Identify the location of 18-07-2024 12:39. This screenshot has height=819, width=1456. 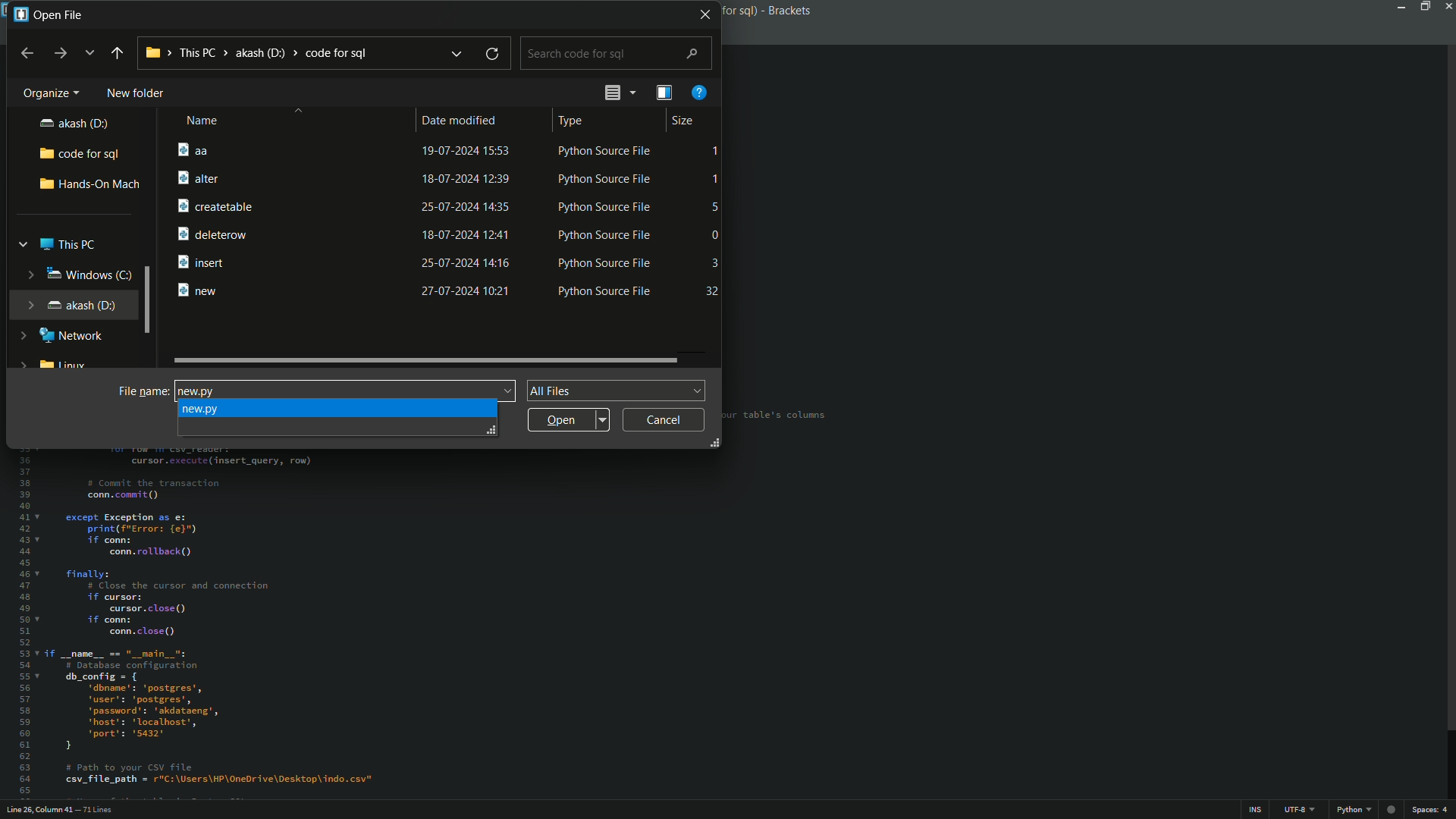
(463, 179).